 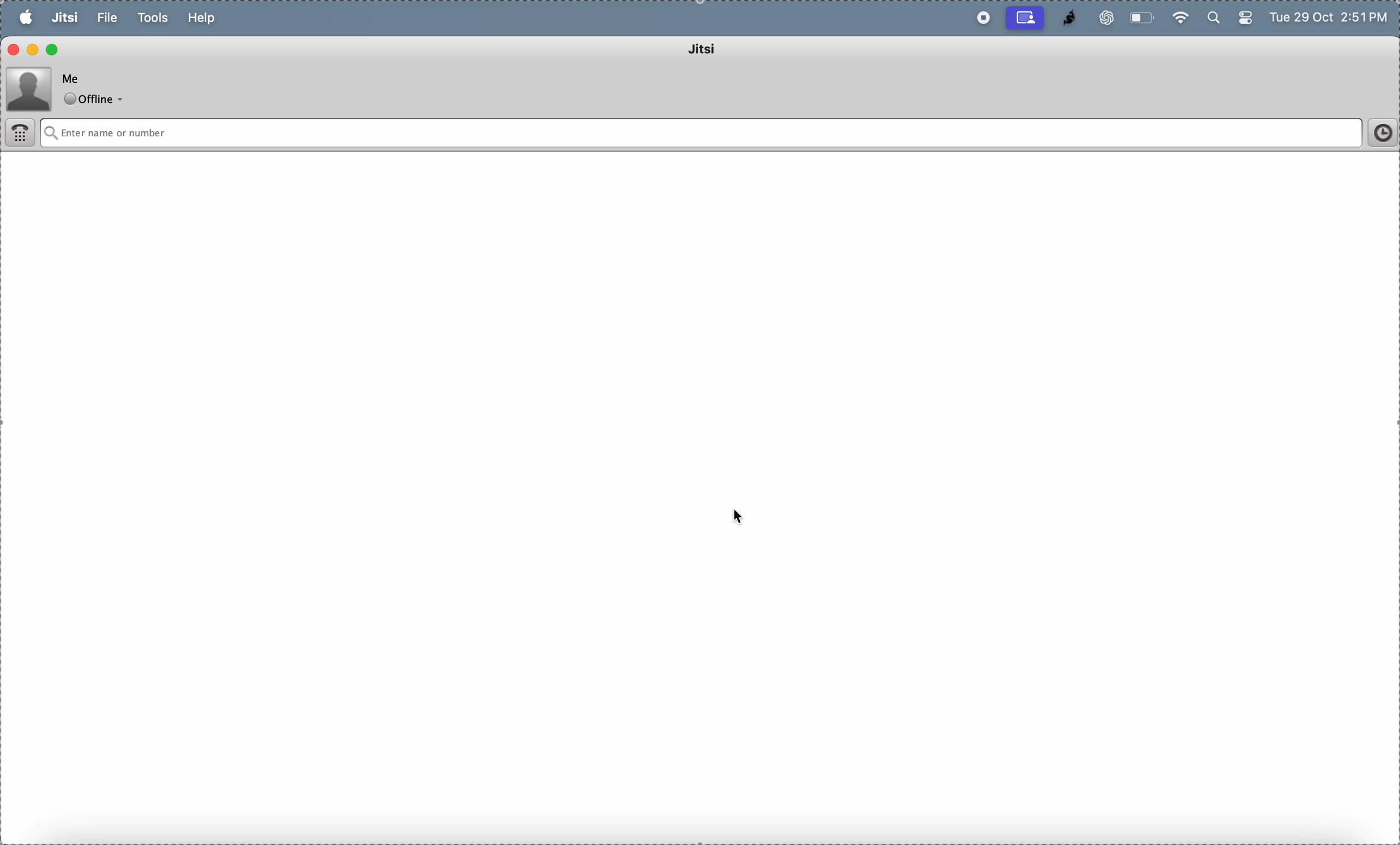 What do you see at coordinates (97, 100) in the screenshot?
I see `offline` at bounding box center [97, 100].